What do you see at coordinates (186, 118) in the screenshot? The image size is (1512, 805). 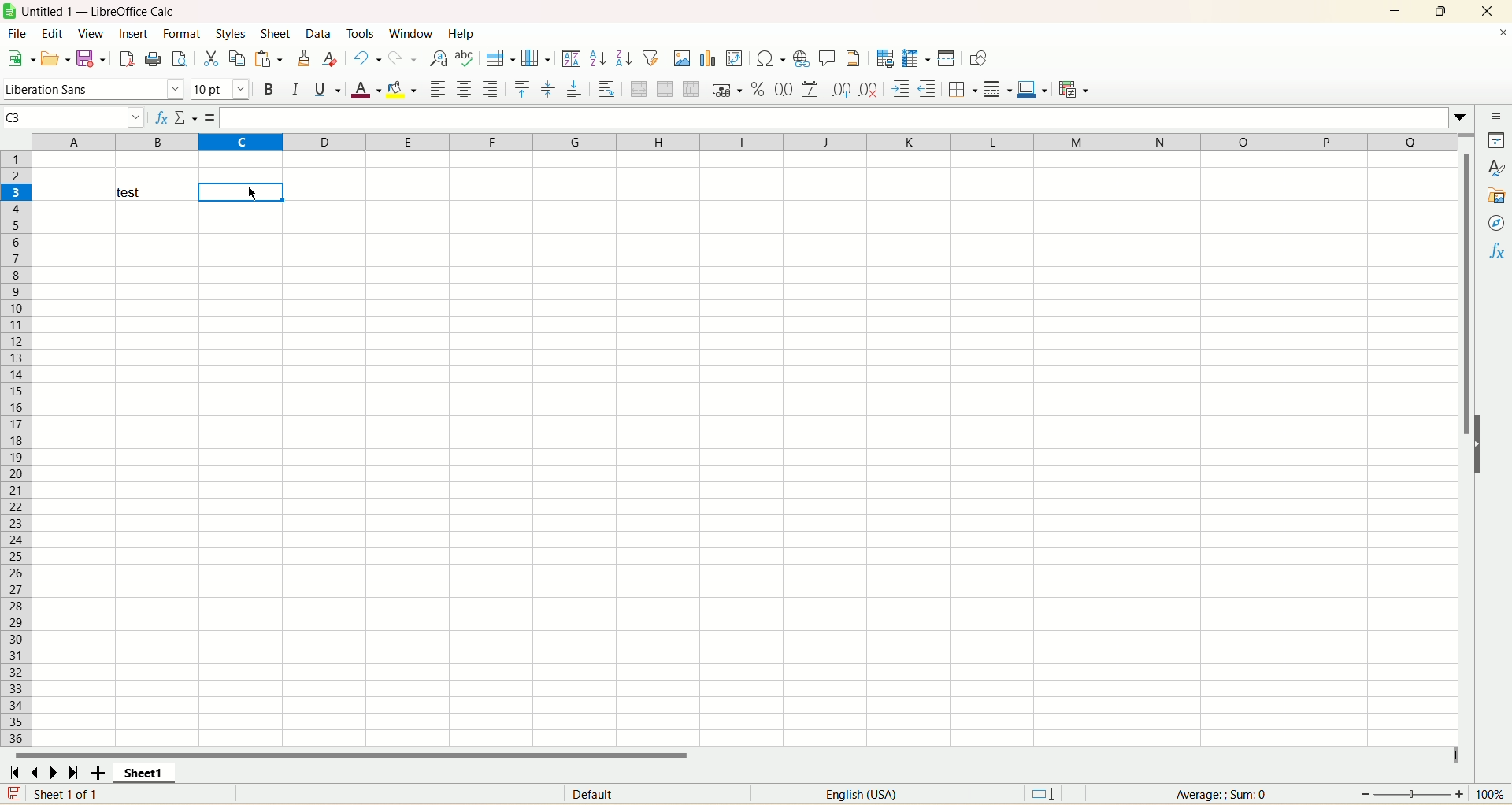 I see `select function` at bounding box center [186, 118].